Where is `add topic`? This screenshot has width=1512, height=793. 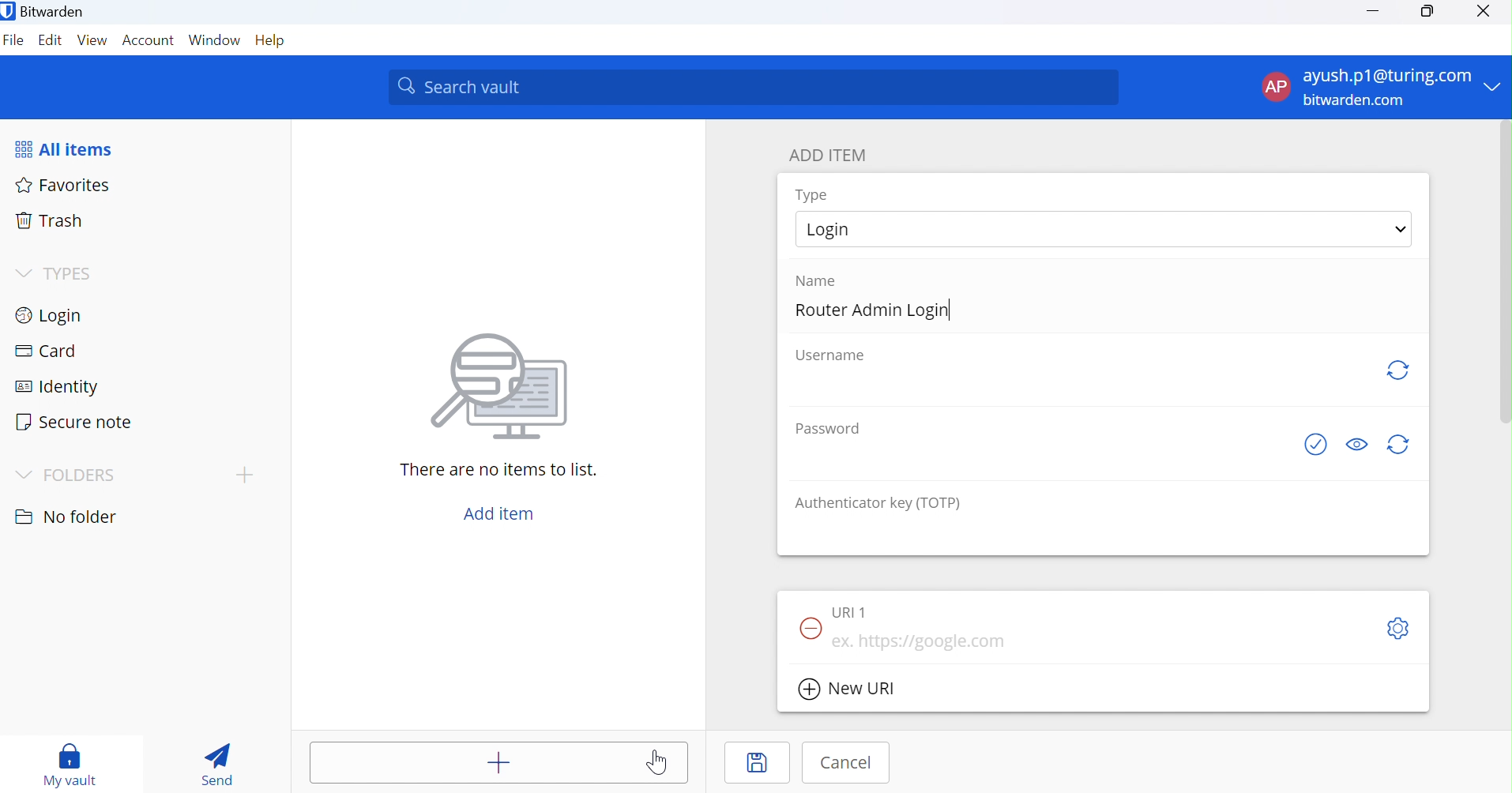
add topic is located at coordinates (245, 474).